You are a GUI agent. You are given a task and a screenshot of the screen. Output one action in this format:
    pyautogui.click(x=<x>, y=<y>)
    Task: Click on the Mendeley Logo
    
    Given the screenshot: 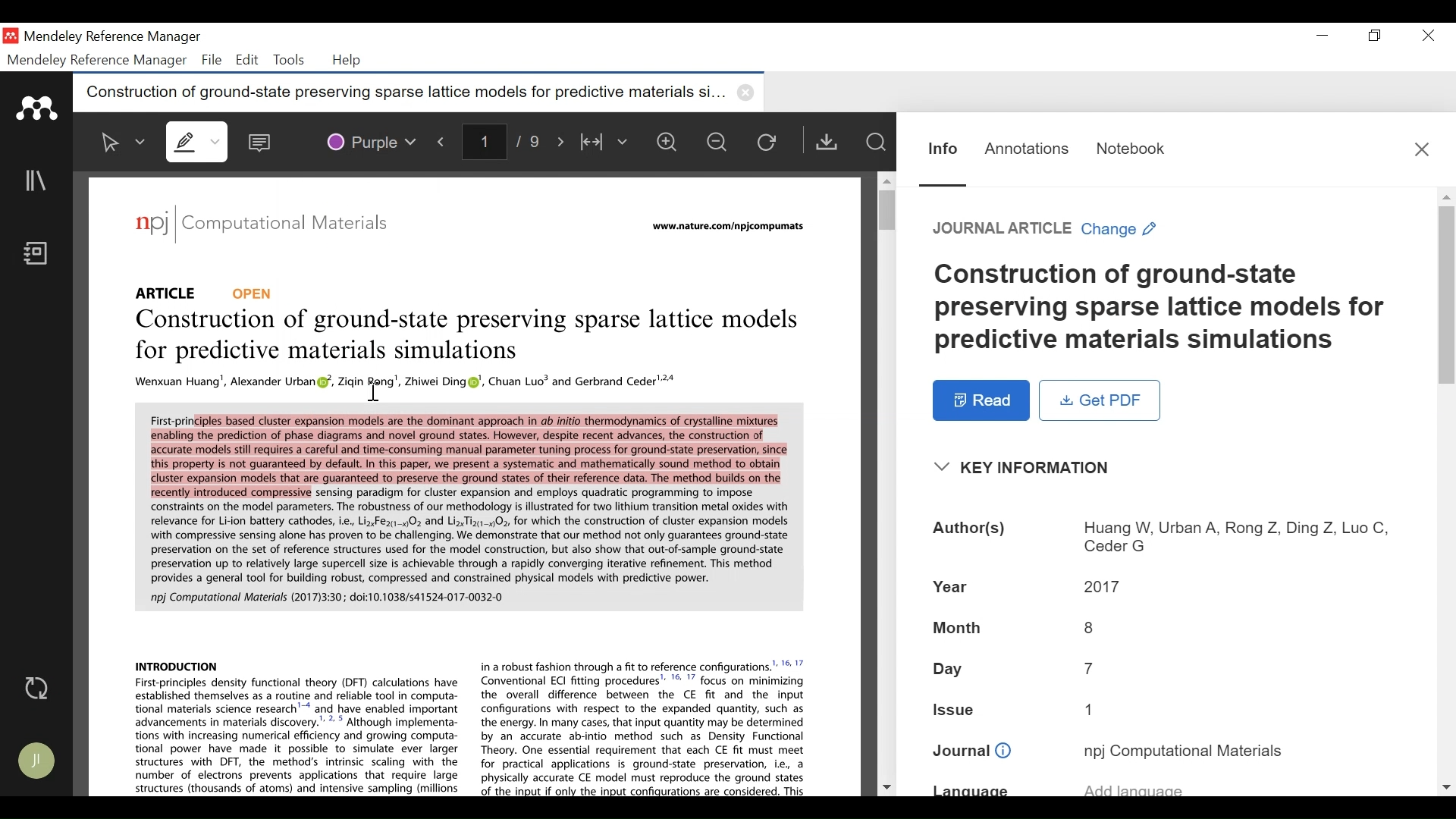 What is the action you would take?
    pyautogui.click(x=37, y=108)
    